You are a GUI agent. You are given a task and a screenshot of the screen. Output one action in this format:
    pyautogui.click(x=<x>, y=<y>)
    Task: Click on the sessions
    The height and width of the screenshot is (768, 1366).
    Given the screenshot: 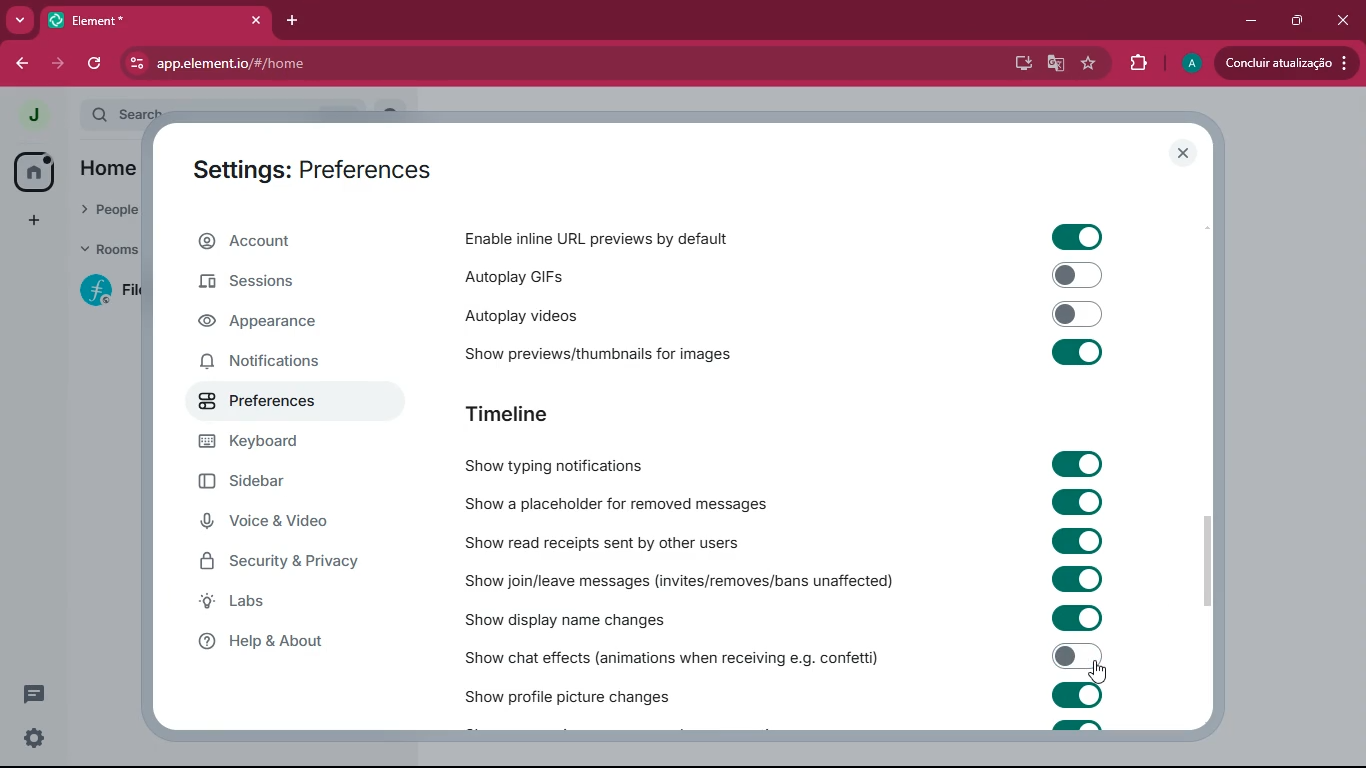 What is the action you would take?
    pyautogui.click(x=273, y=287)
    